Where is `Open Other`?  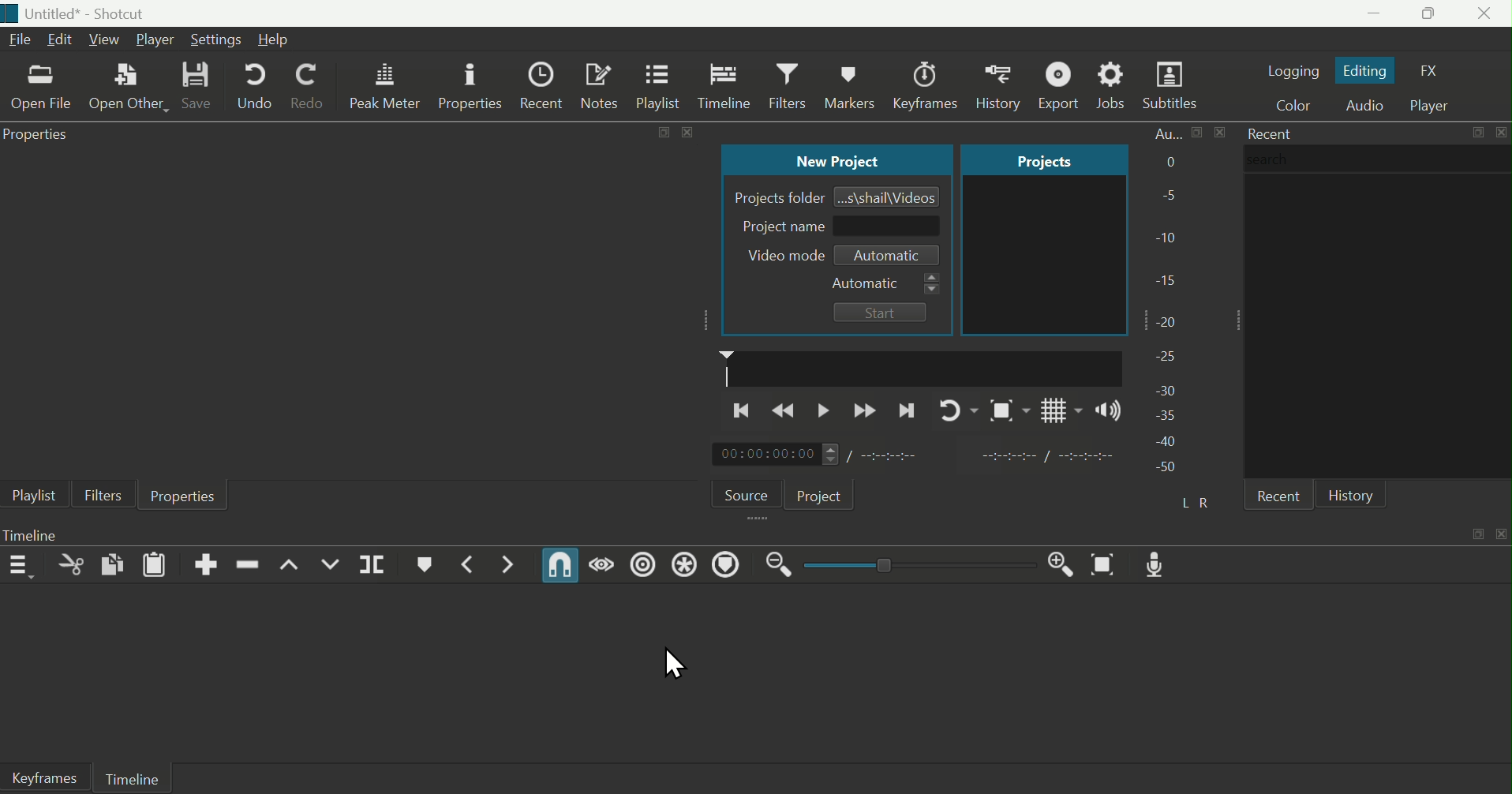 Open Other is located at coordinates (127, 87).